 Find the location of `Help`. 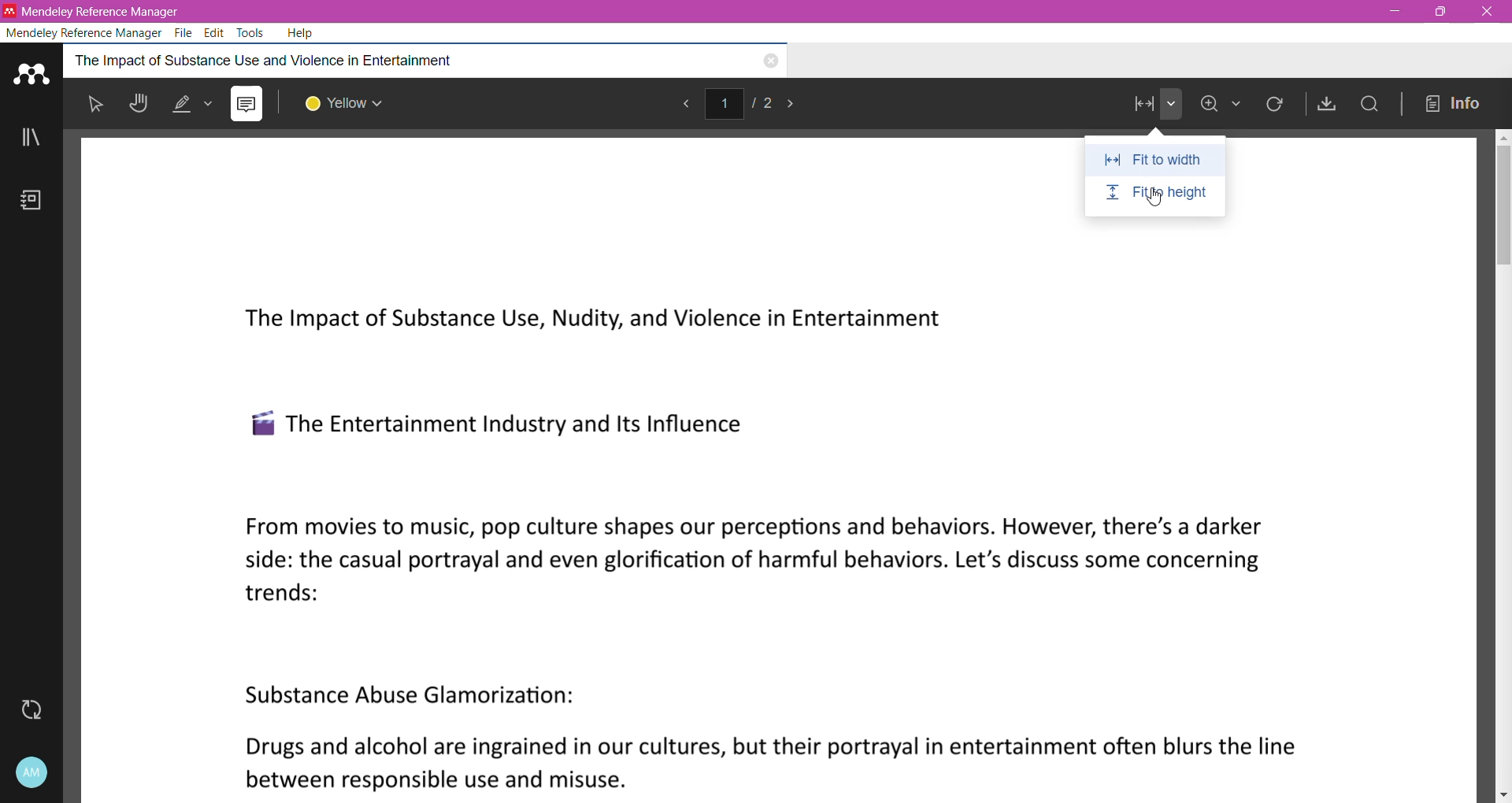

Help is located at coordinates (303, 33).